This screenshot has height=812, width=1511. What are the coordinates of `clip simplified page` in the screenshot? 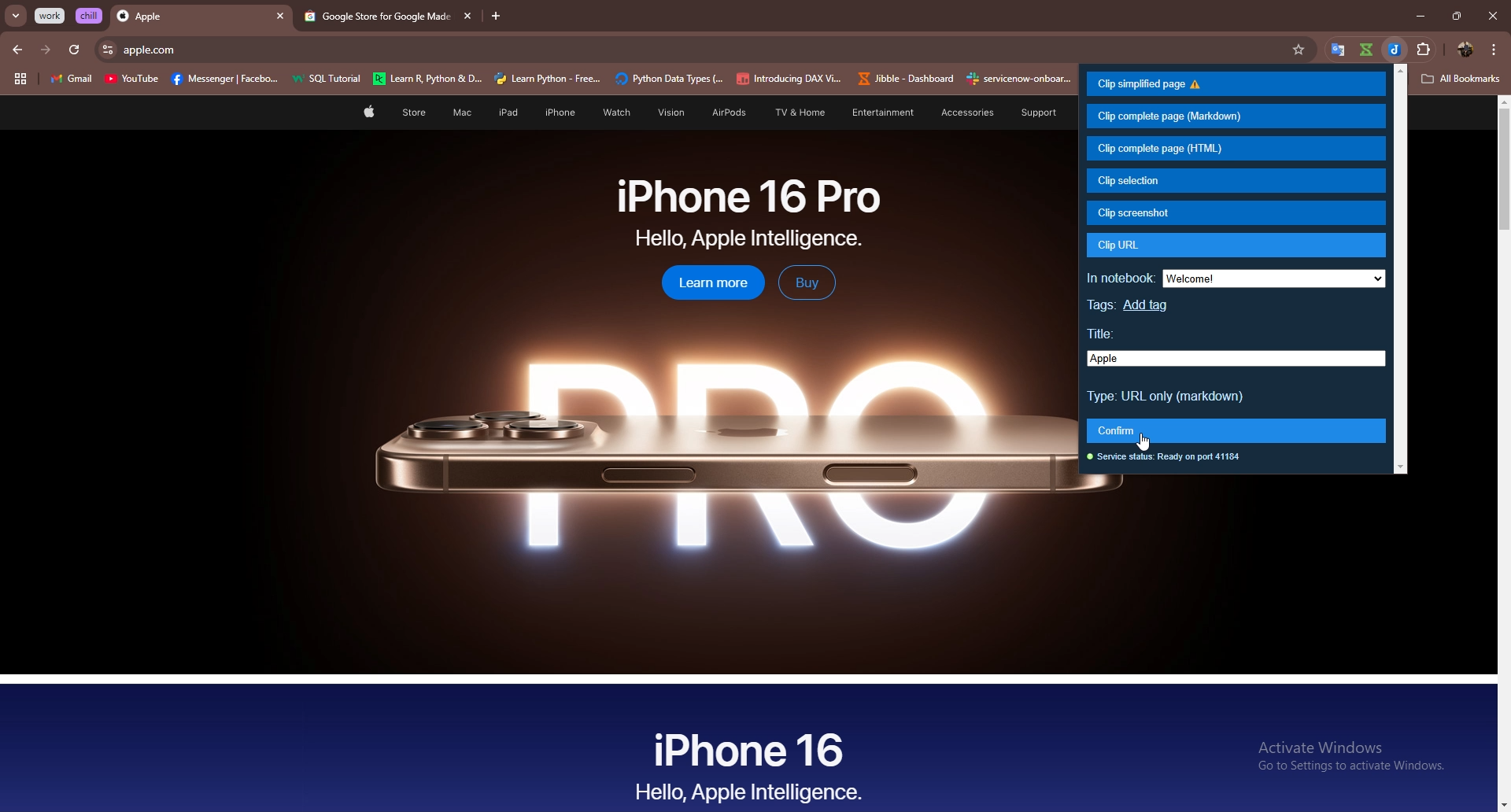 It's located at (1234, 84).